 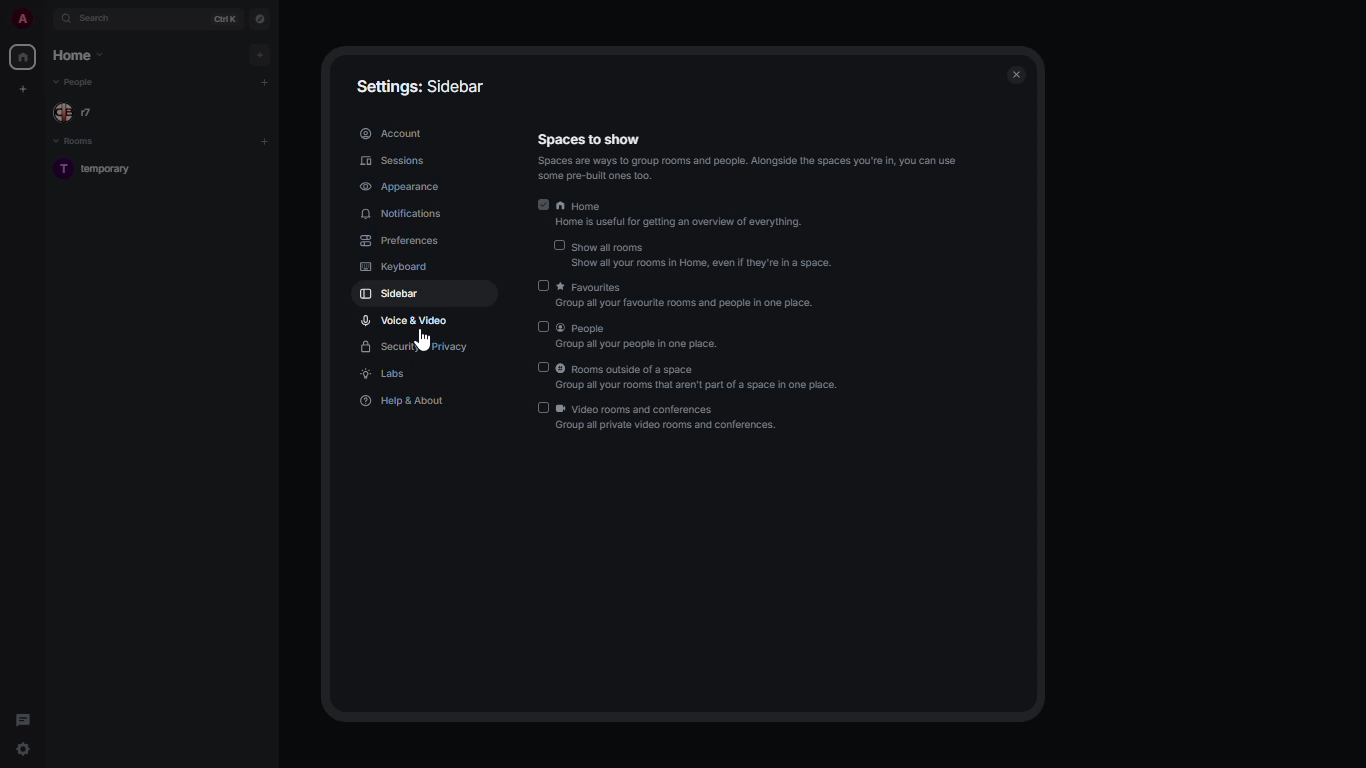 What do you see at coordinates (265, 80) in the screenshot?
I see `add` at bounding box center [265, 80].